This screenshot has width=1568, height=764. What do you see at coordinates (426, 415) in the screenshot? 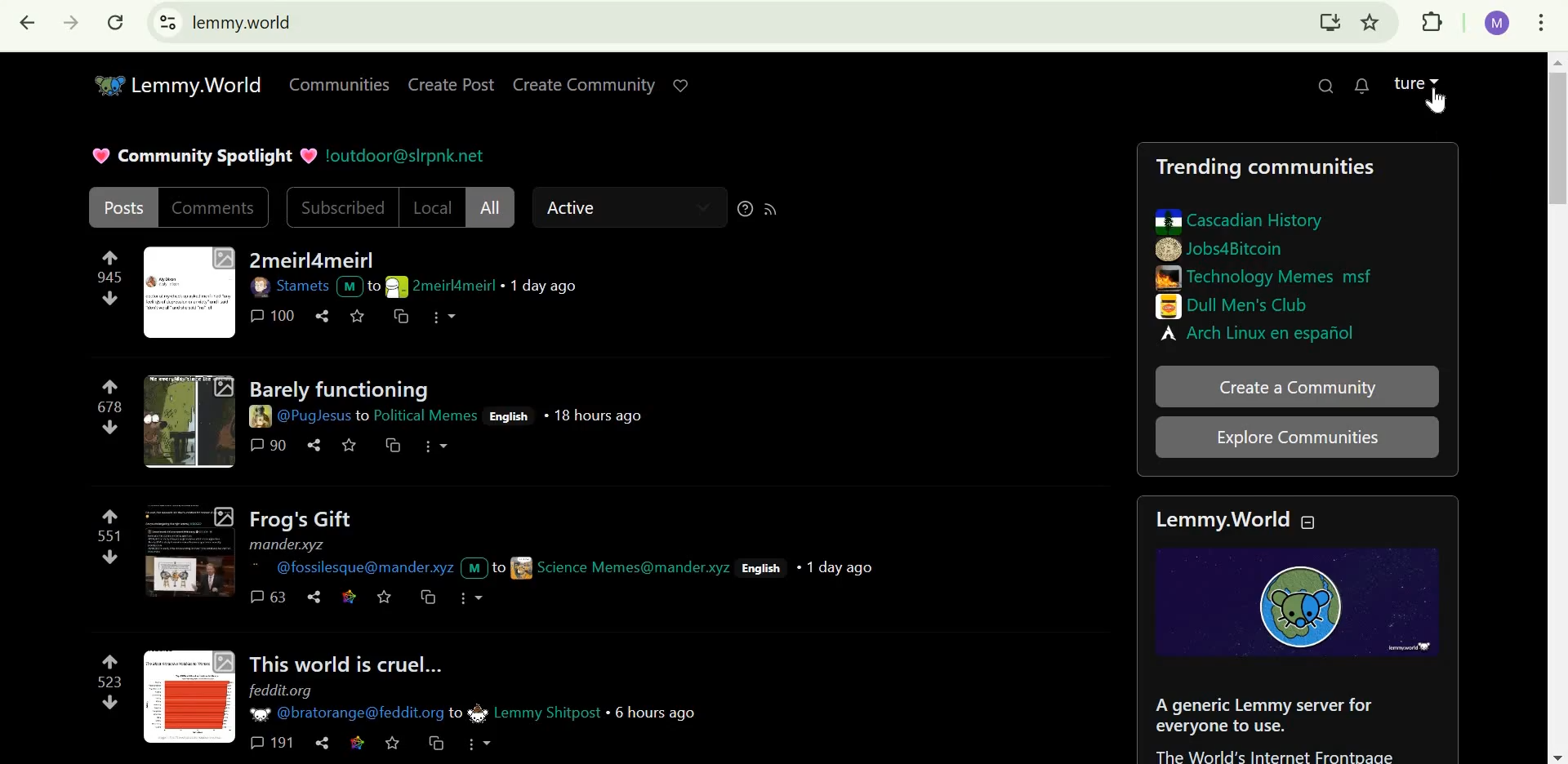
I see `community name` at bounding box center [426, 415].